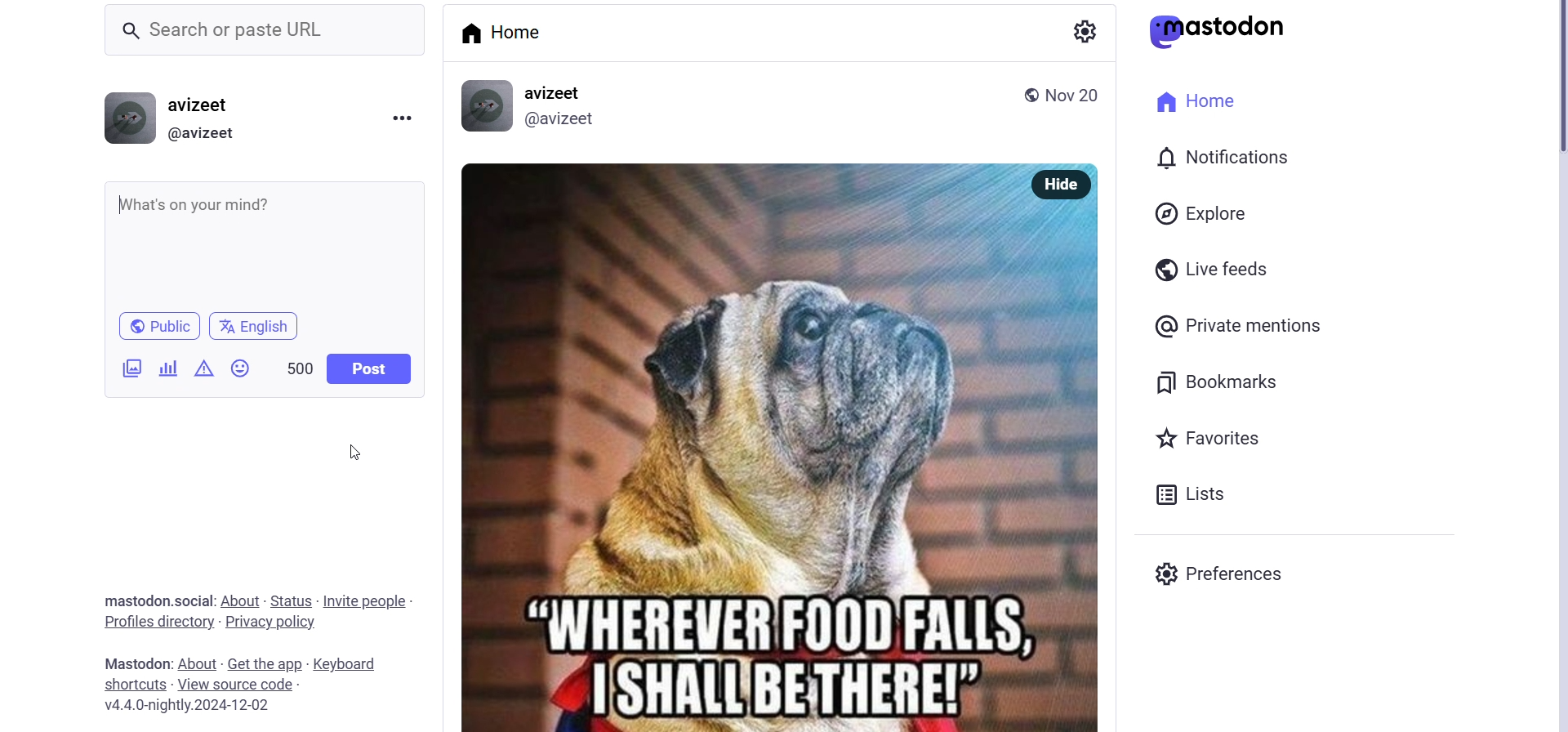 Image resolution: width=1568 pixels, height=732 pixels. Describe the element at coordinates (366, 596) in the screenshot. I see `invite people` at that location.